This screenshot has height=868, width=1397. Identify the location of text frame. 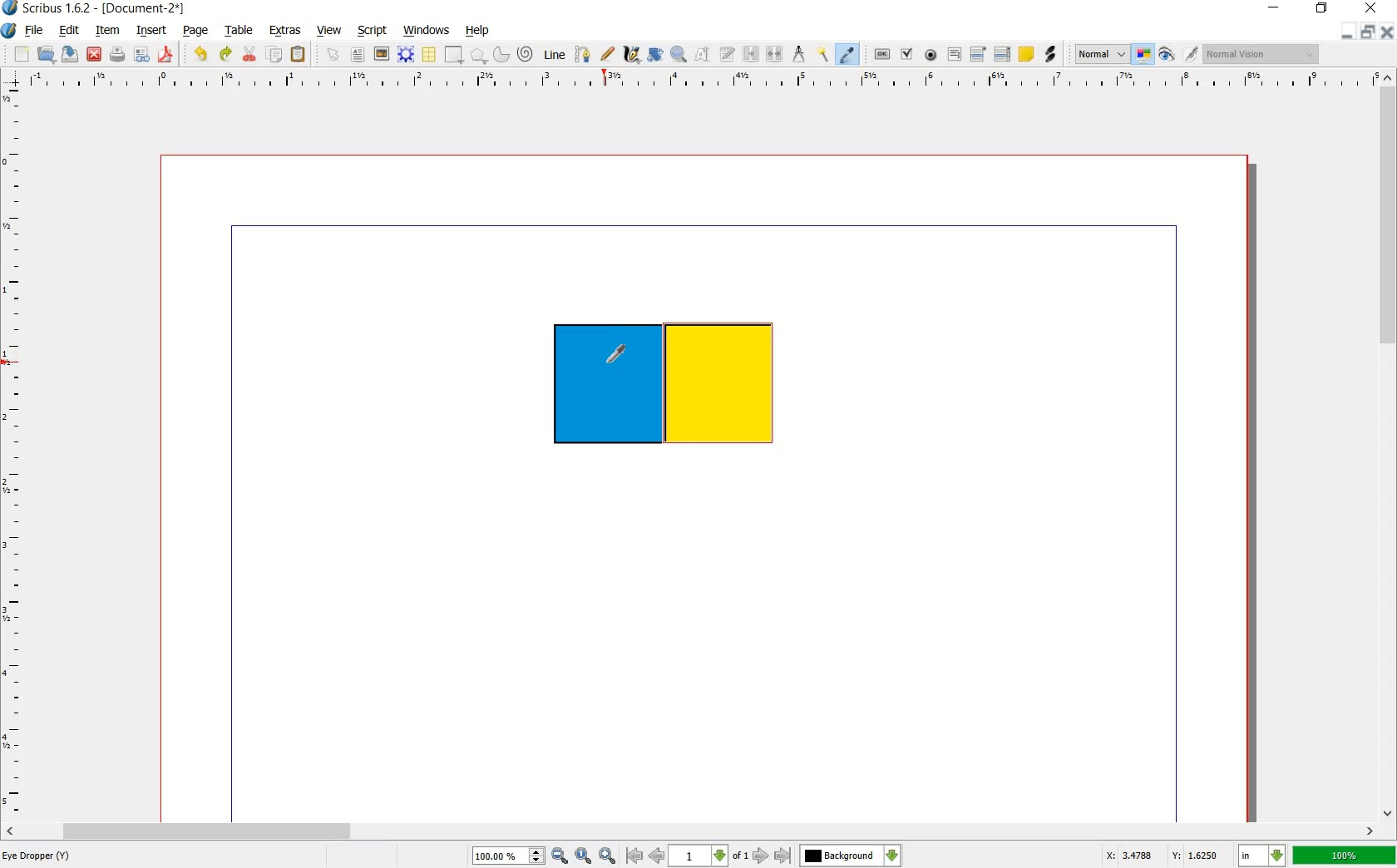
(333, 54).